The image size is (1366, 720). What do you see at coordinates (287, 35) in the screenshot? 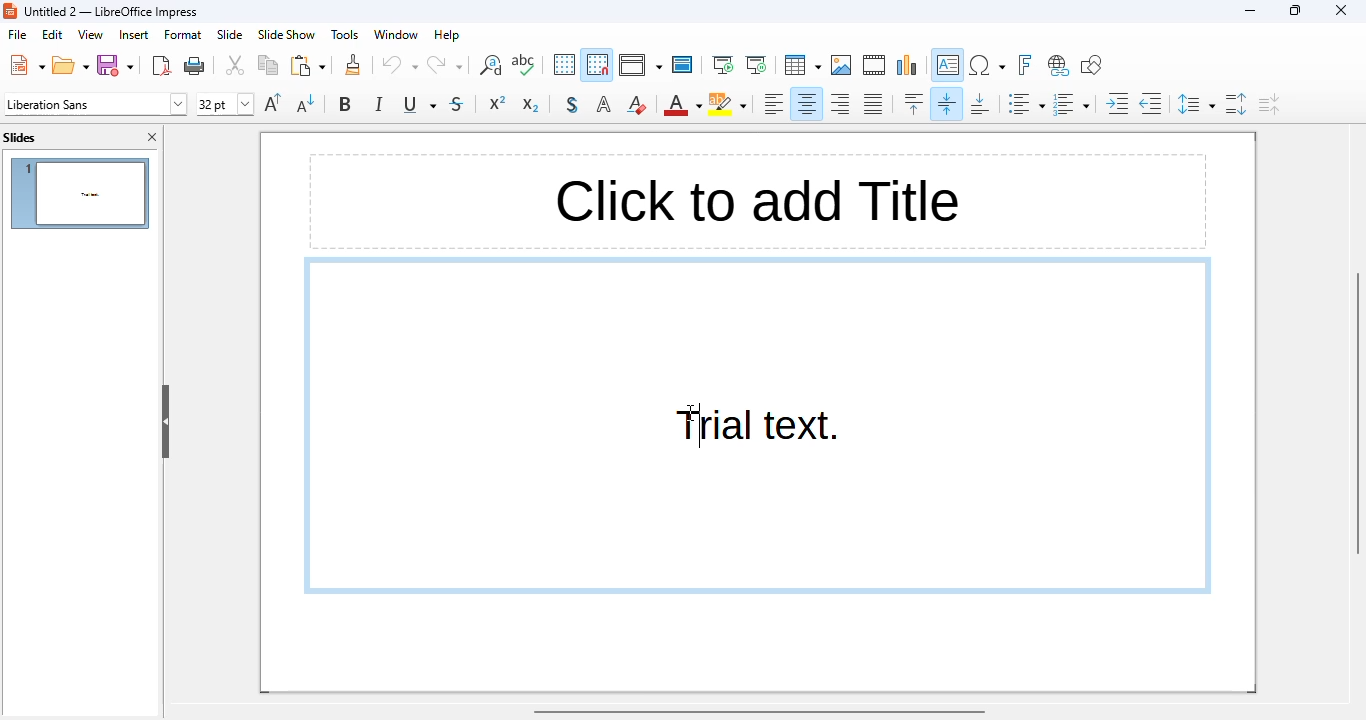
I see `slideshow` at bounding box center [287, 35].